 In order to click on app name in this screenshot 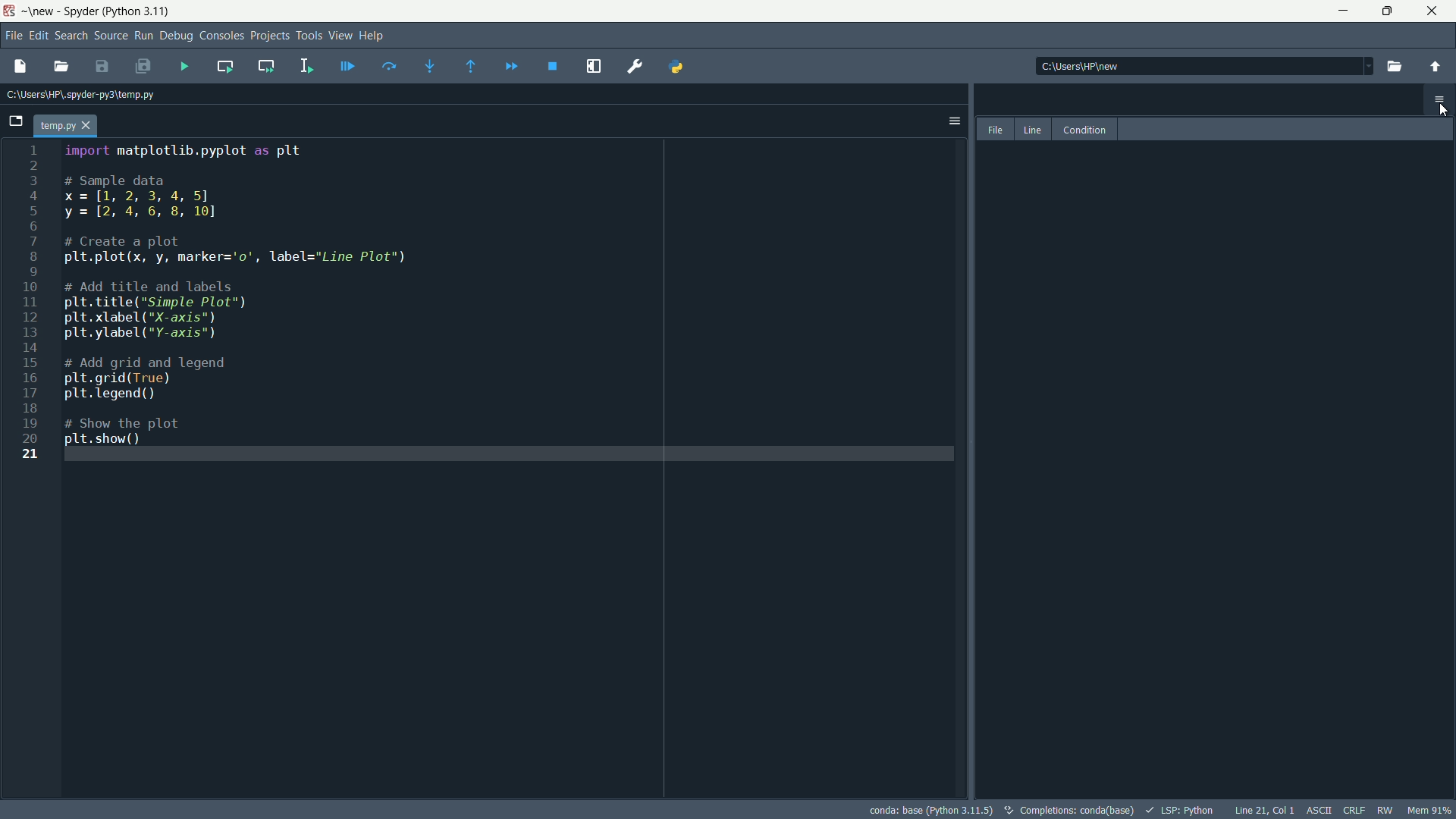, I will do `click(83, 12)`.